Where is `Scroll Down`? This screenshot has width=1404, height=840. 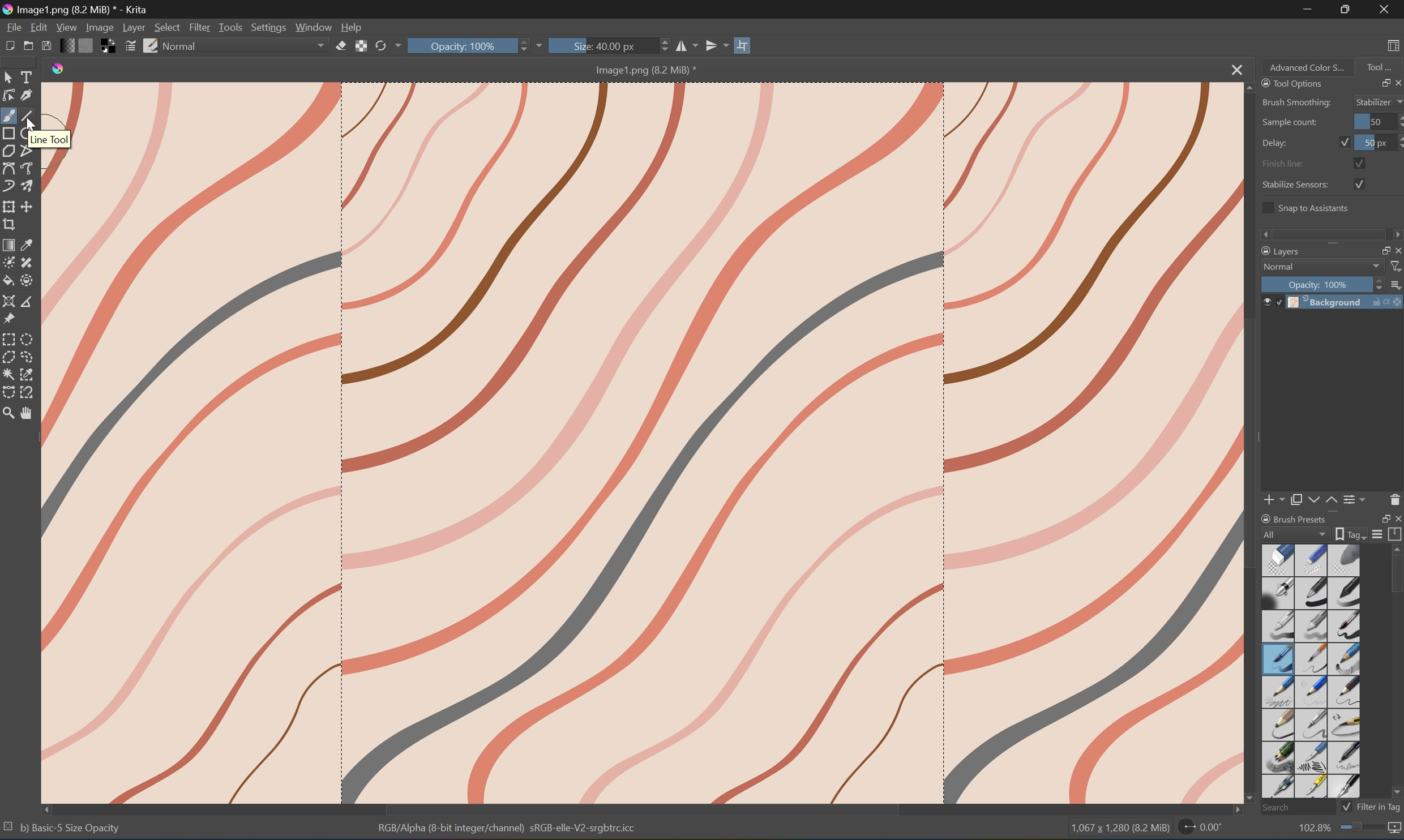
Scroll Down is located at coordinates (1249, 795).